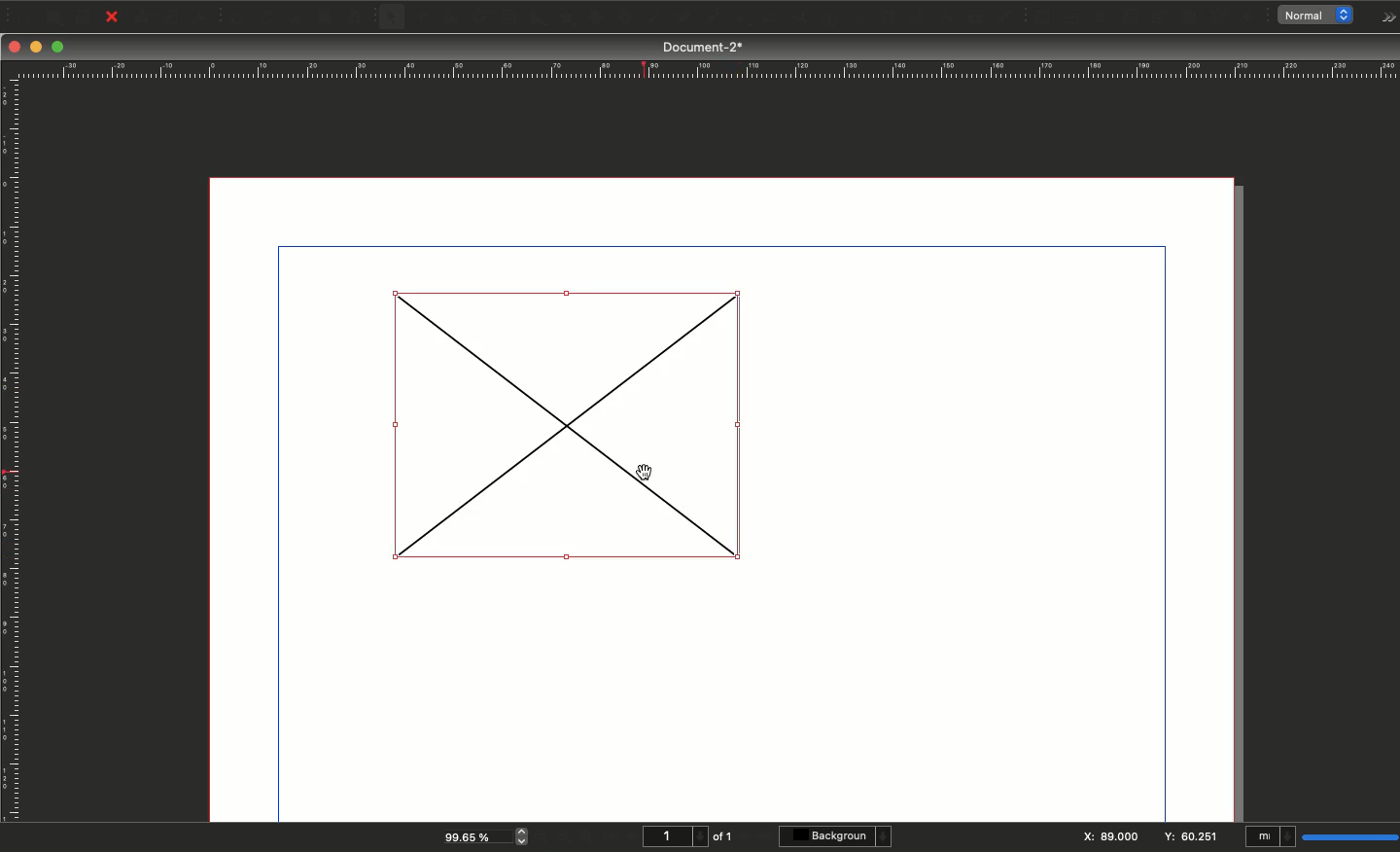  Describe the element at coordinates (595, 18) in the screenshot. I see `Arc` at that location.